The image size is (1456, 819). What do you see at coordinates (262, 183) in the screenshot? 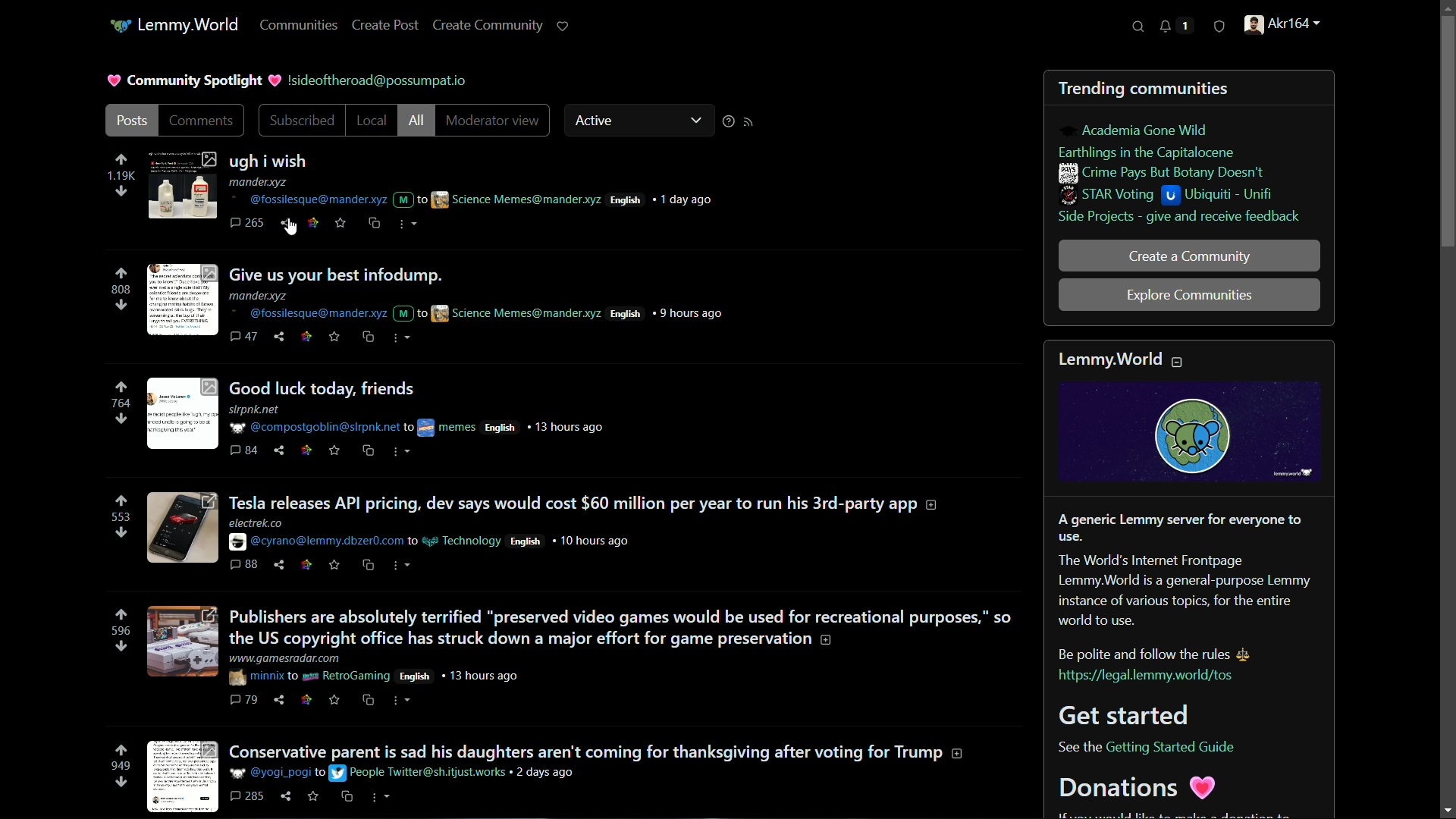
I see `mander.xyz` at bounding box center [262, 183].